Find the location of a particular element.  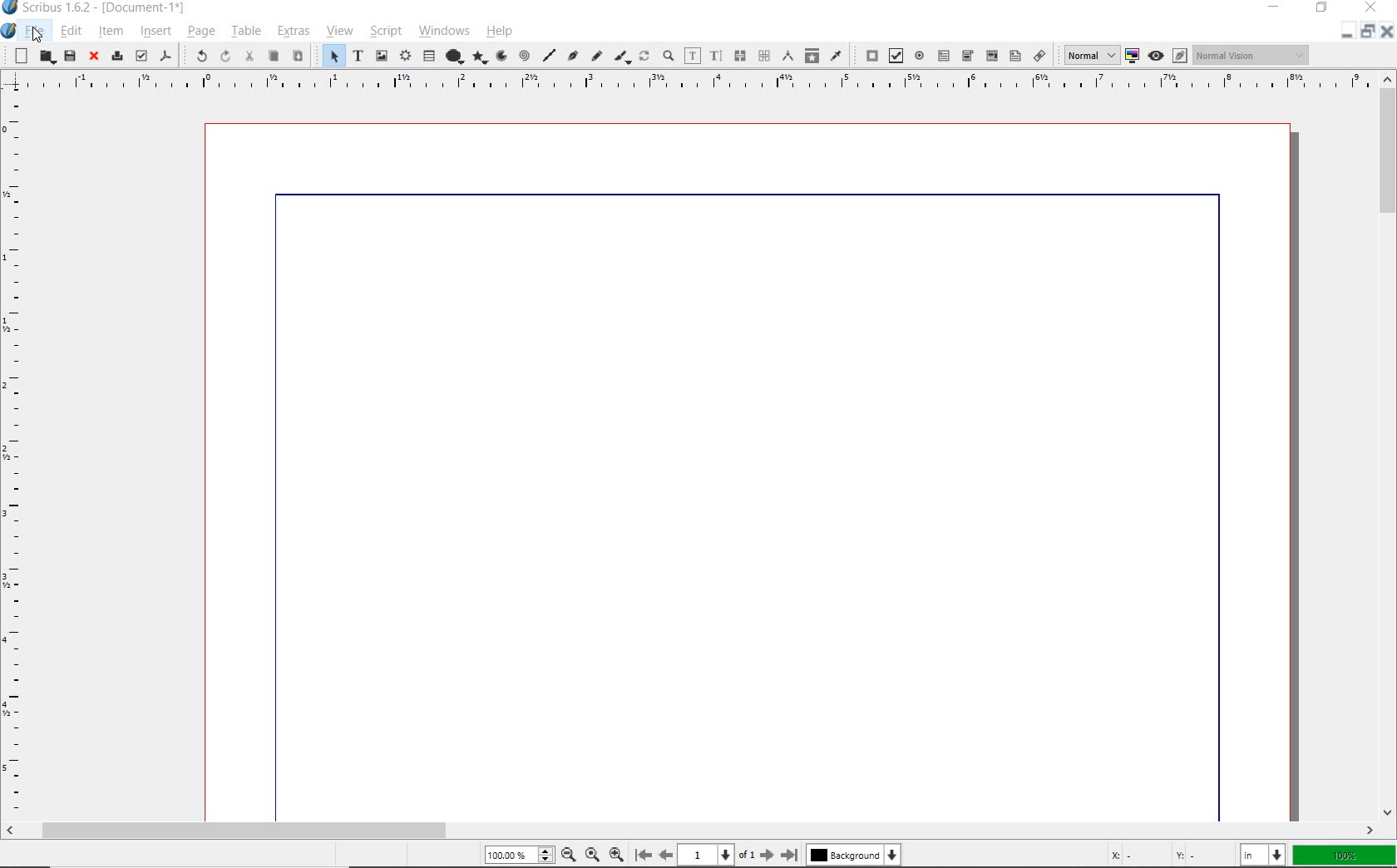

Bezier curve is located at coordinates (573, 56).